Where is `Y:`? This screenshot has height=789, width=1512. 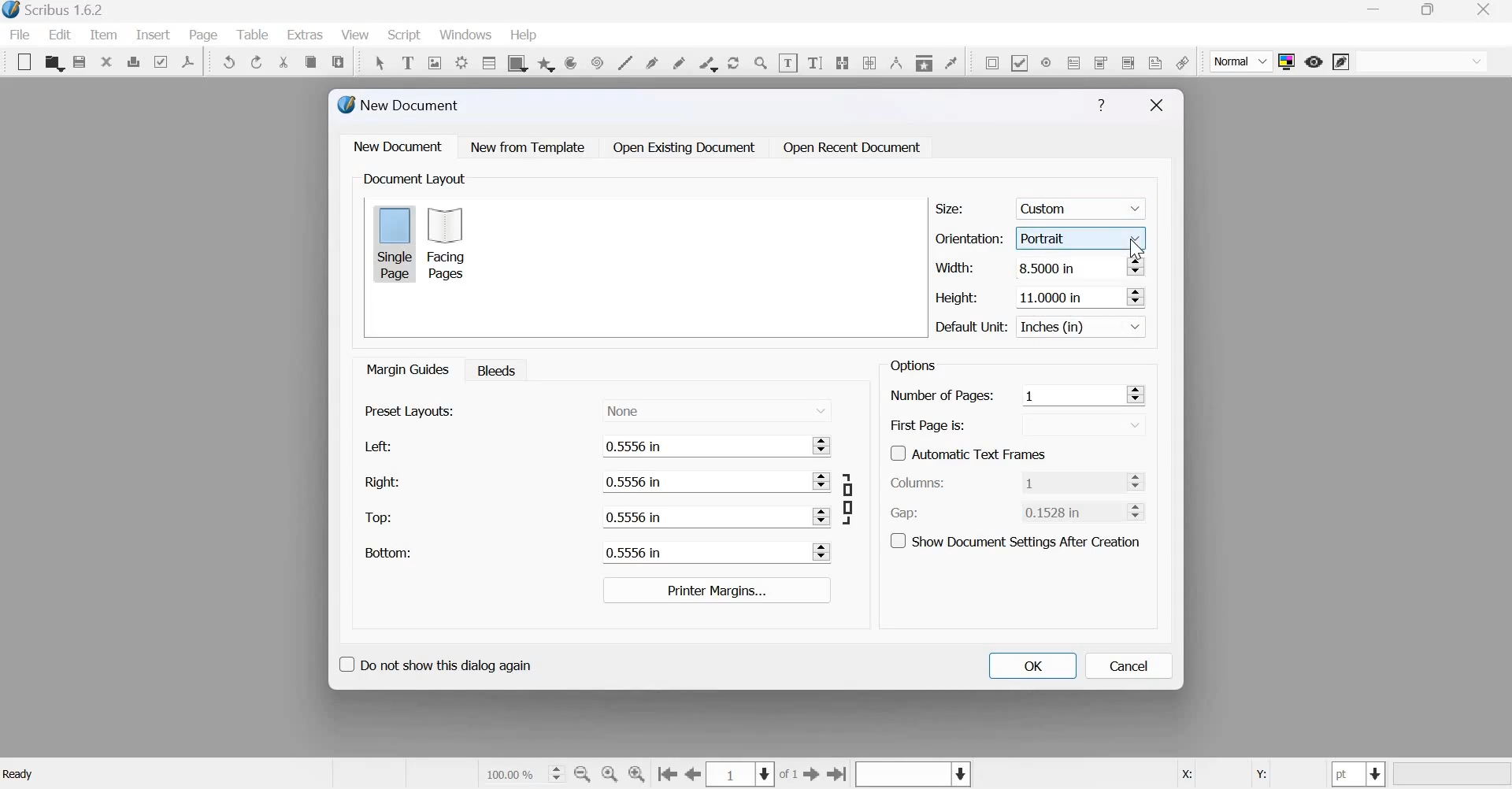 Y: is located at coordinates (1258, 775).